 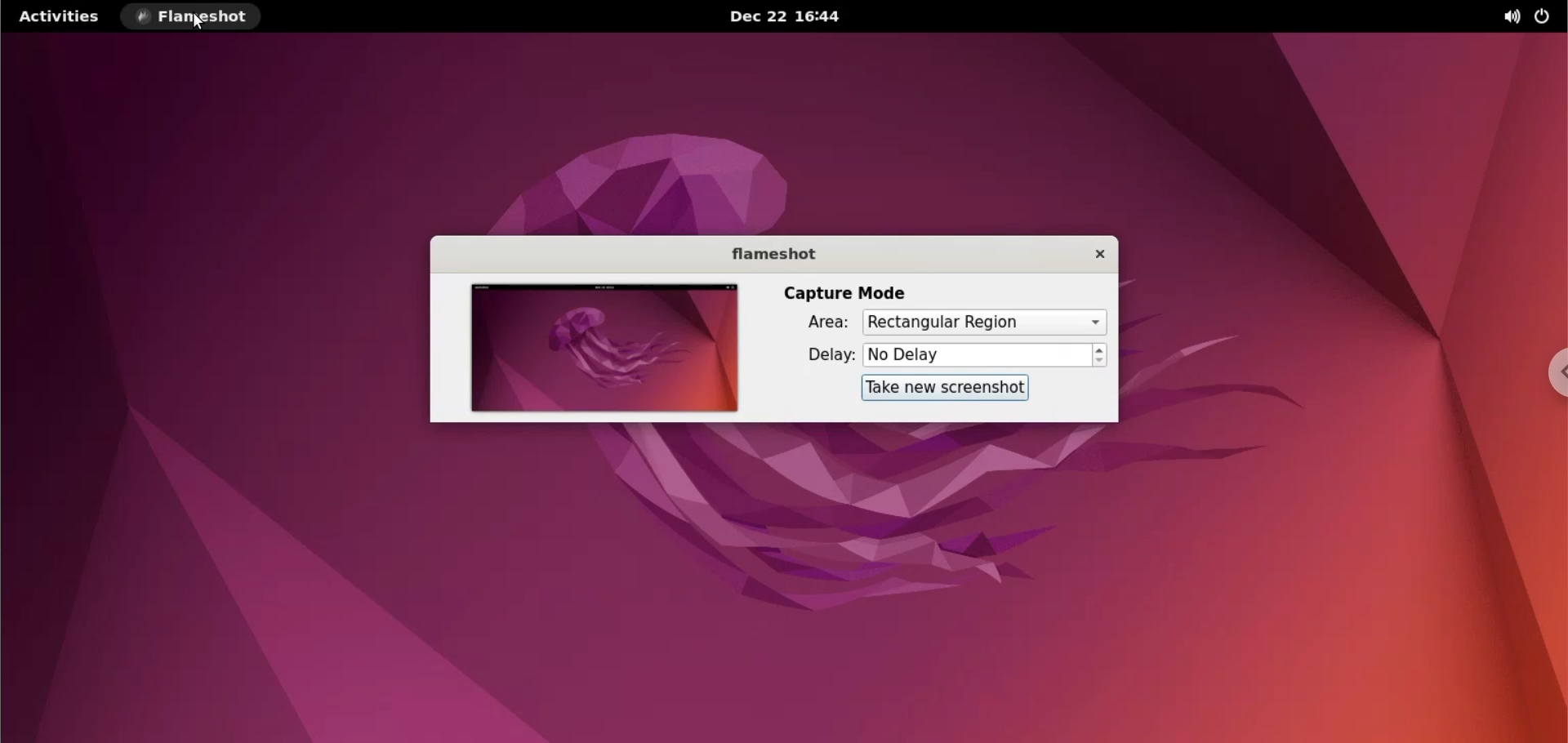 What do you see at coordinates (982, 323) in the screenshot?
I see `capture area options` at bounding box center [982, 323].